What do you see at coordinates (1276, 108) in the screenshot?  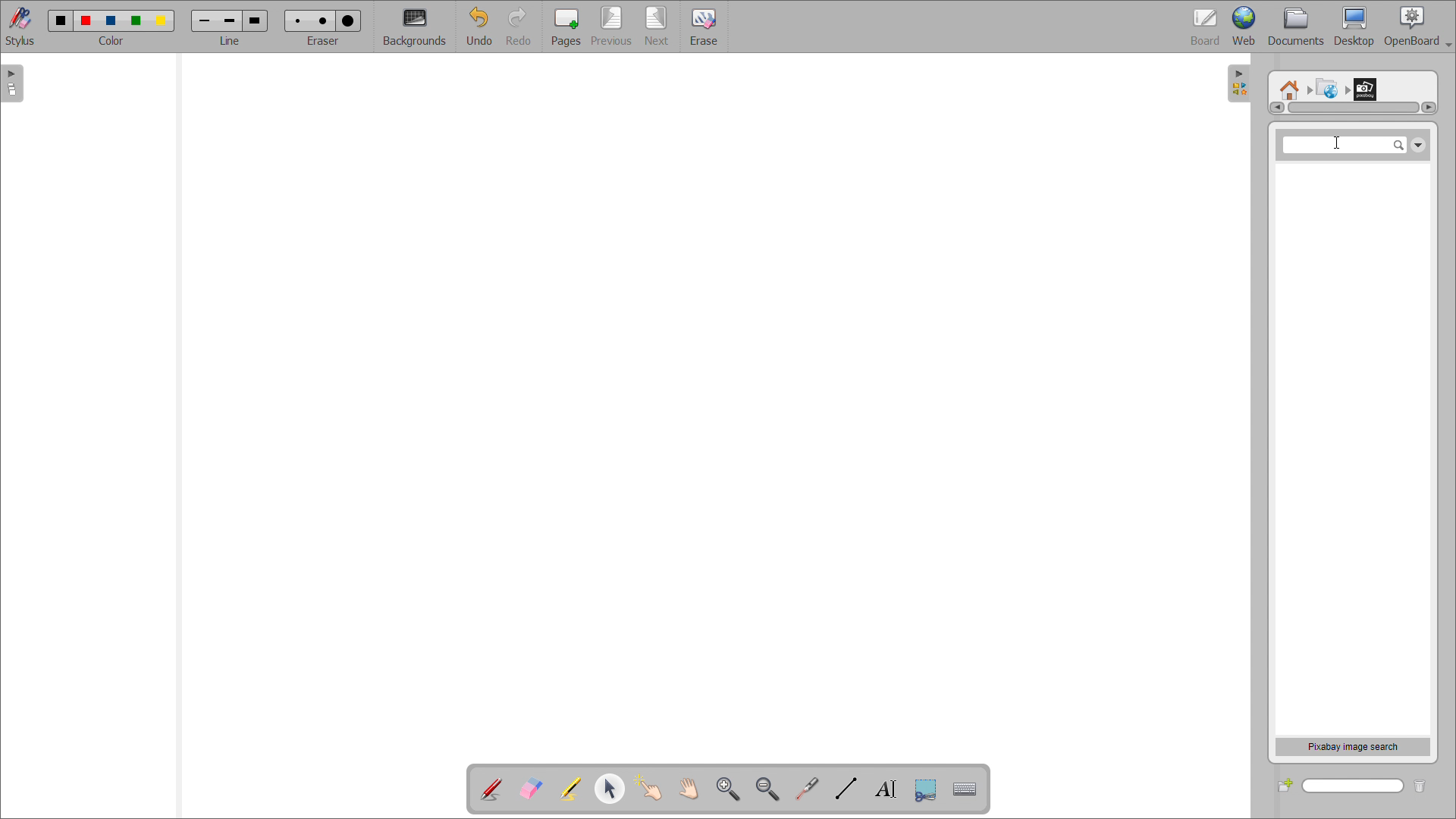 I see `scroll left` at bounding box center [1276, 108].